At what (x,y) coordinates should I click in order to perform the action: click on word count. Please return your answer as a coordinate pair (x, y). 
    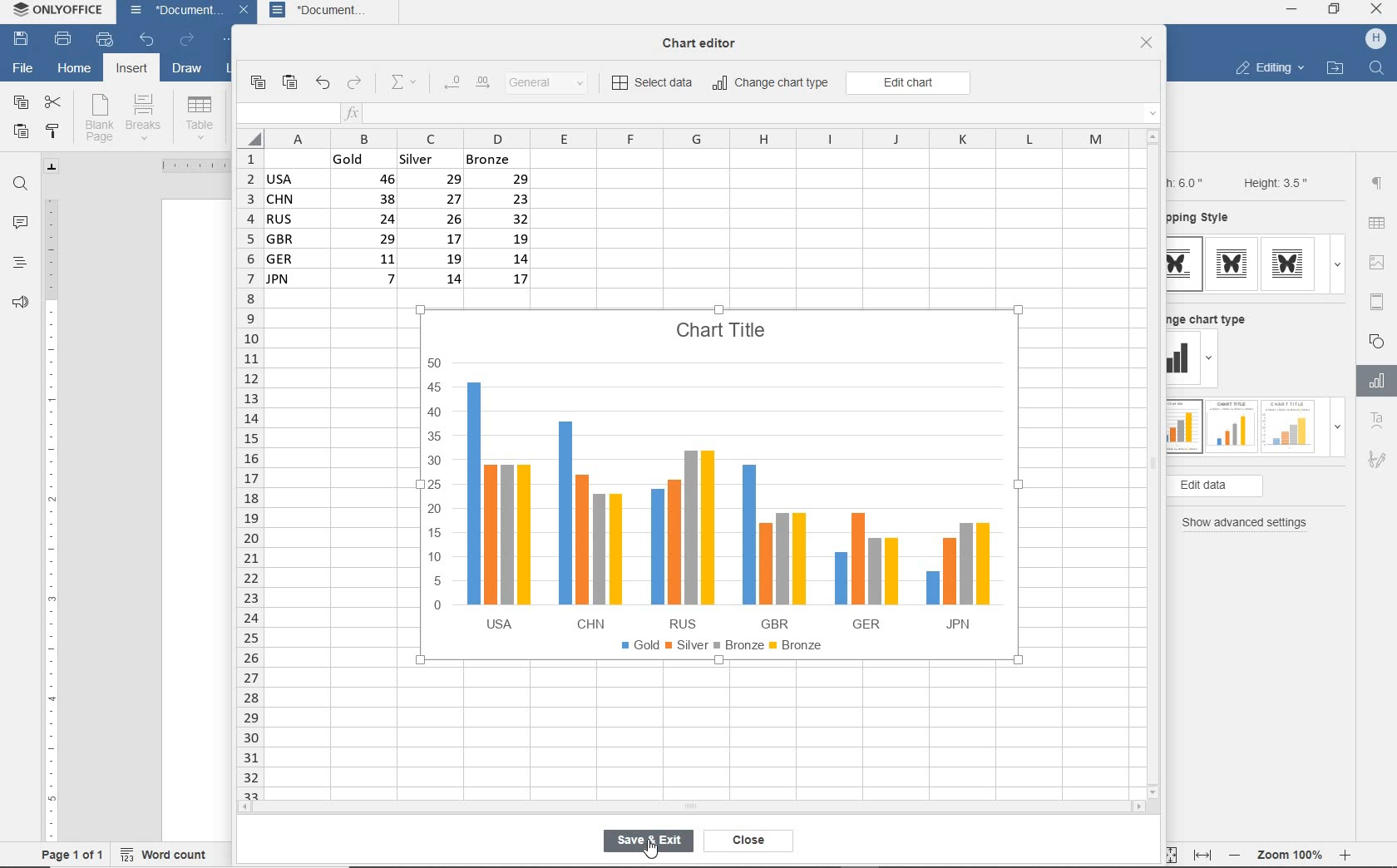
    Looking at the image, I should click on (169, 852).